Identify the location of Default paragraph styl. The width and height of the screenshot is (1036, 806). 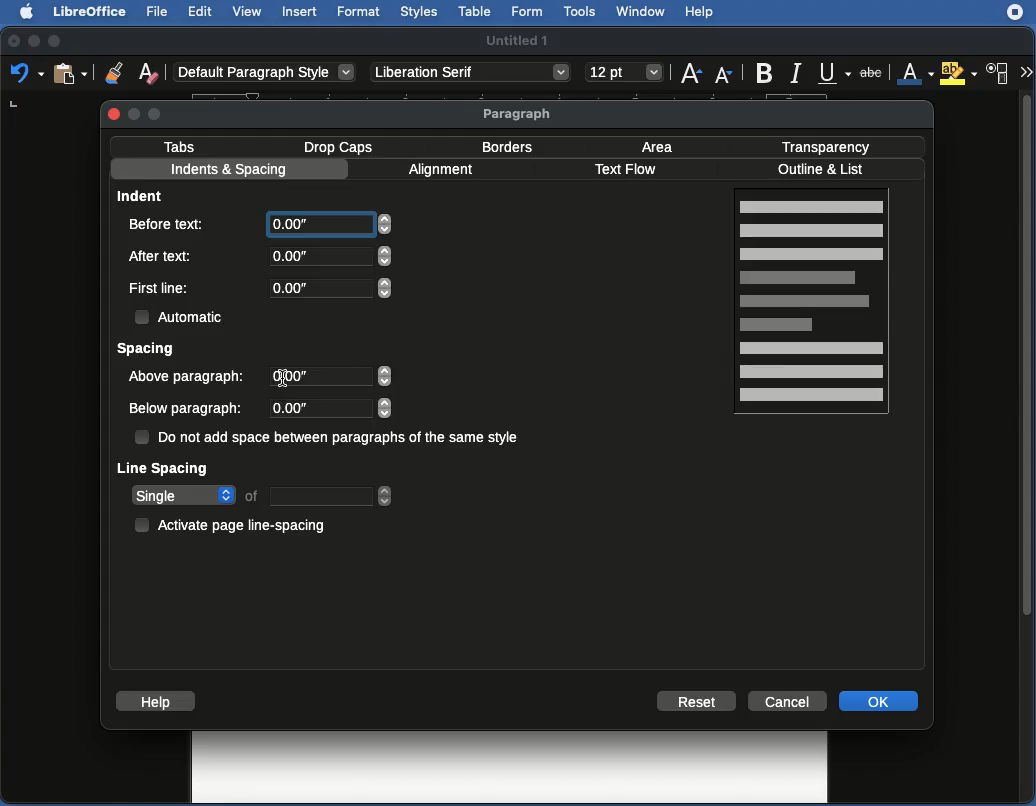
(265, 73).